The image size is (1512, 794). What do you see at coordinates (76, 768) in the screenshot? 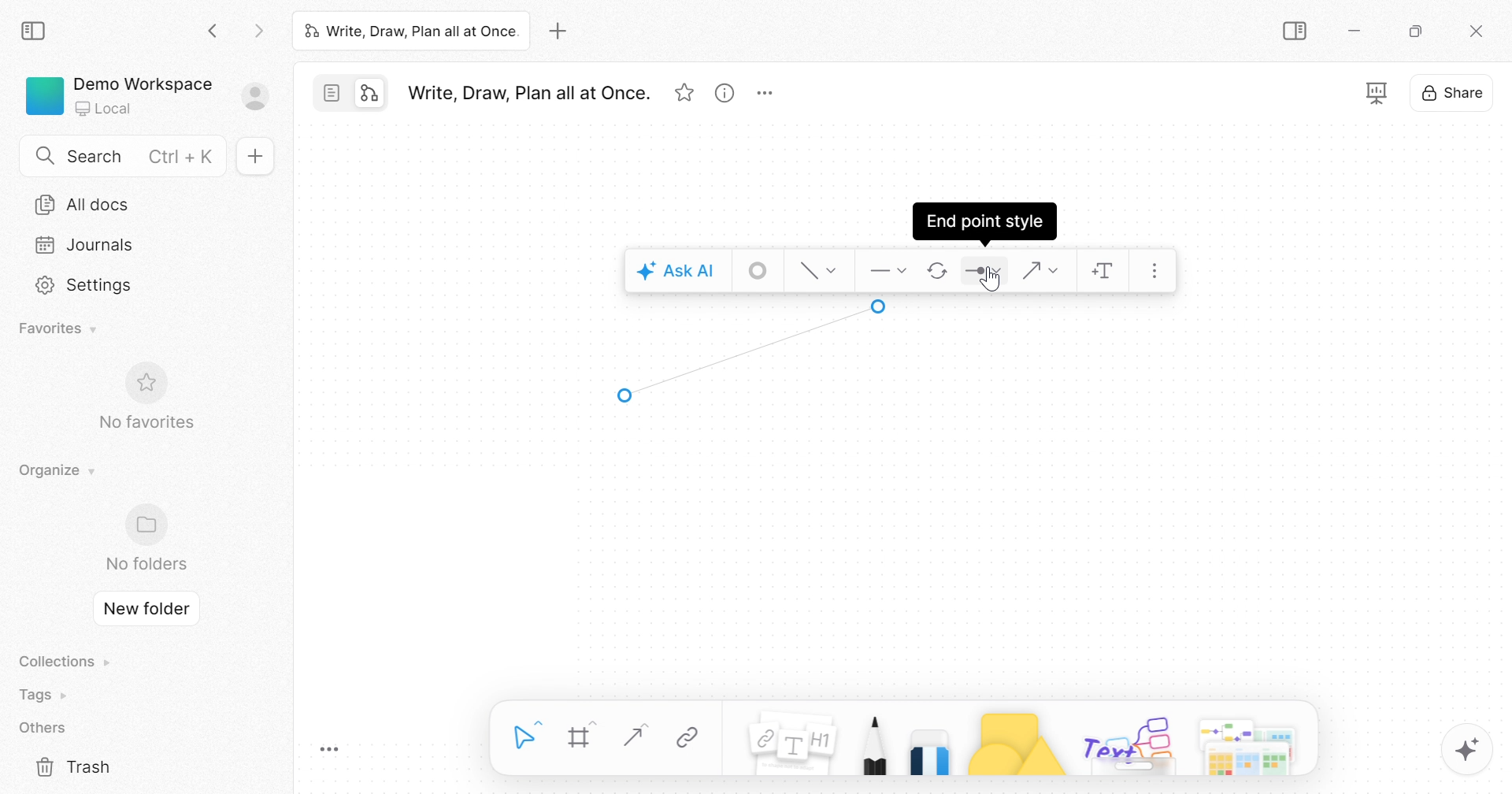
I see `Trash` at bounding box center [76, 768].